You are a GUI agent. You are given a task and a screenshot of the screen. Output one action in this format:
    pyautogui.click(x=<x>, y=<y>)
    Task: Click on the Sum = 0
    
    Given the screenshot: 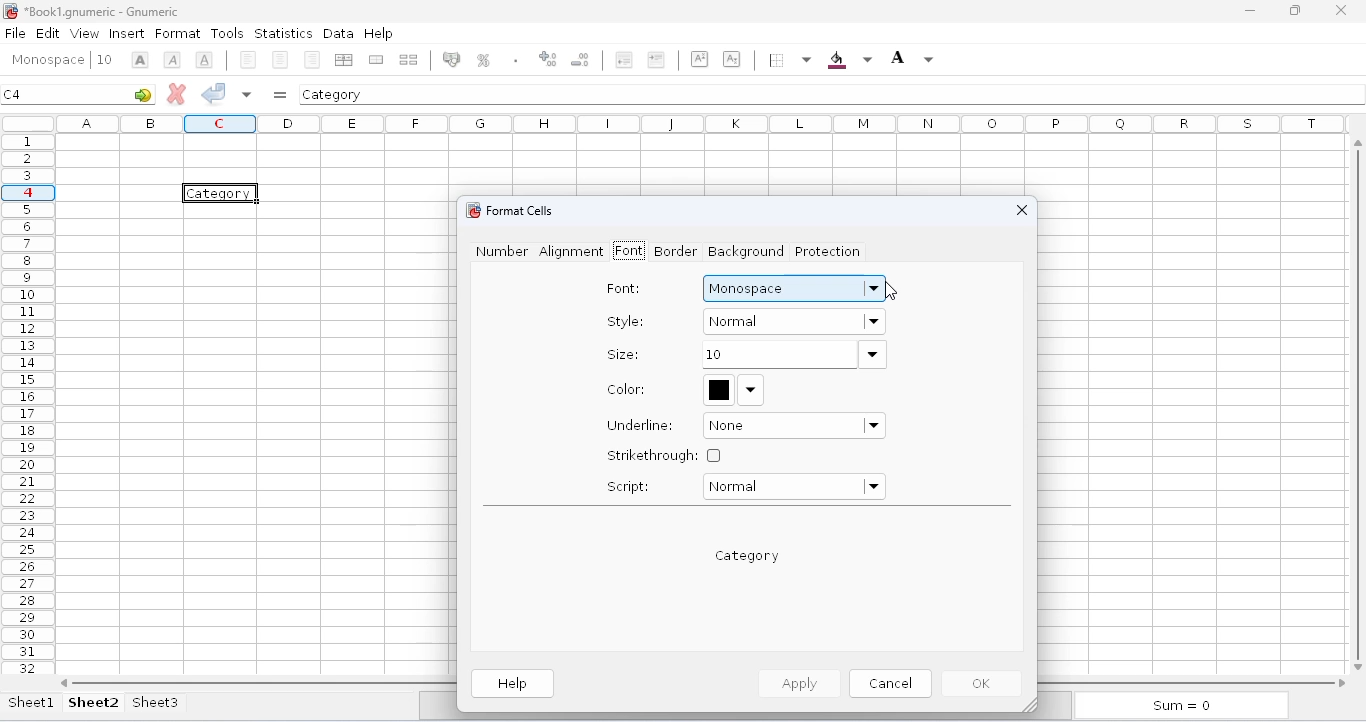 What is the action you would take?
    pyautogui.click(x=1177, y=707)
    